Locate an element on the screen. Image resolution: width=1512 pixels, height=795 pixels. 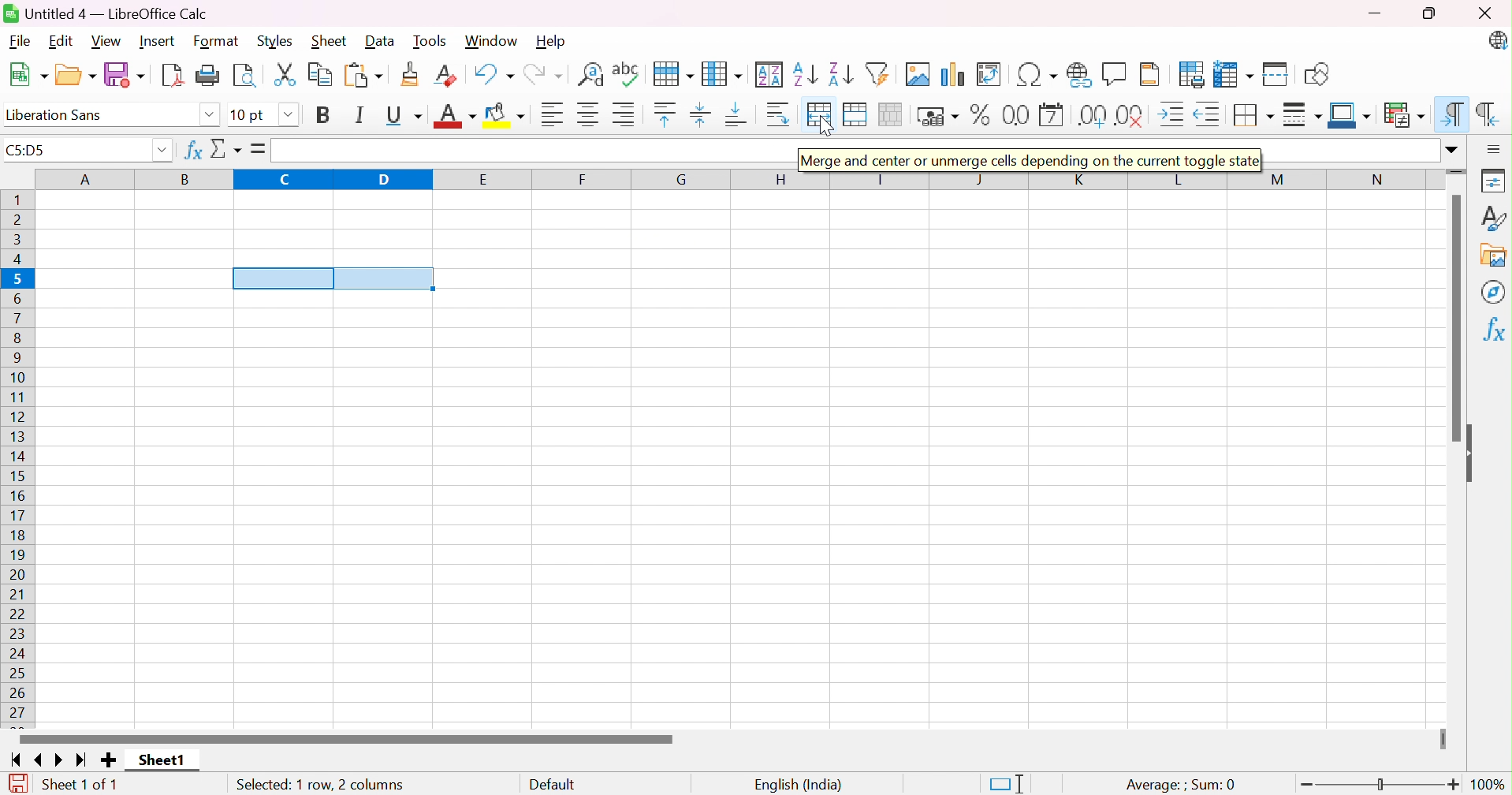
Scroll Bar is located at coordinates (346, 738).